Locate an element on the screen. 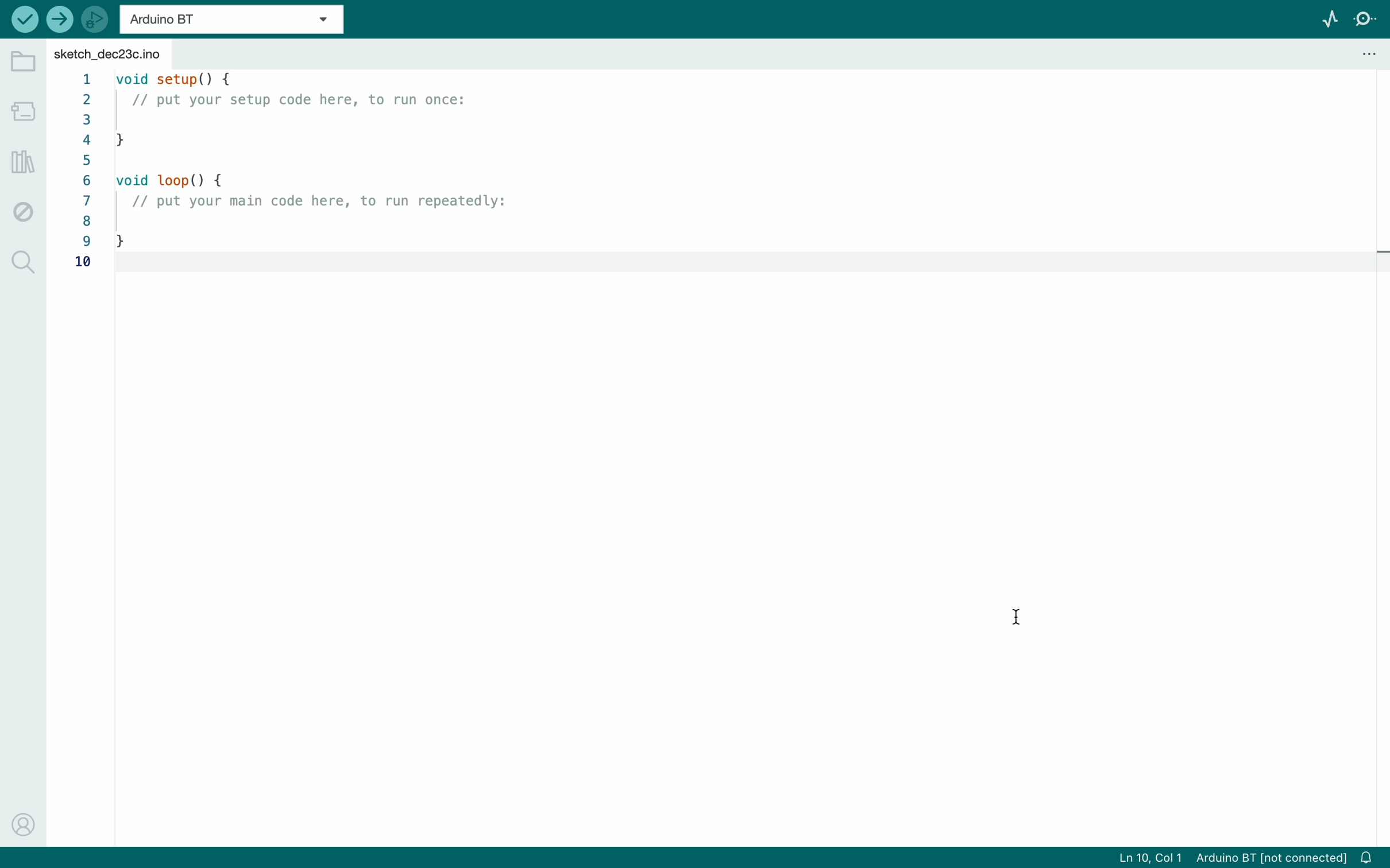  notification is located at coordinates (1368, 858).